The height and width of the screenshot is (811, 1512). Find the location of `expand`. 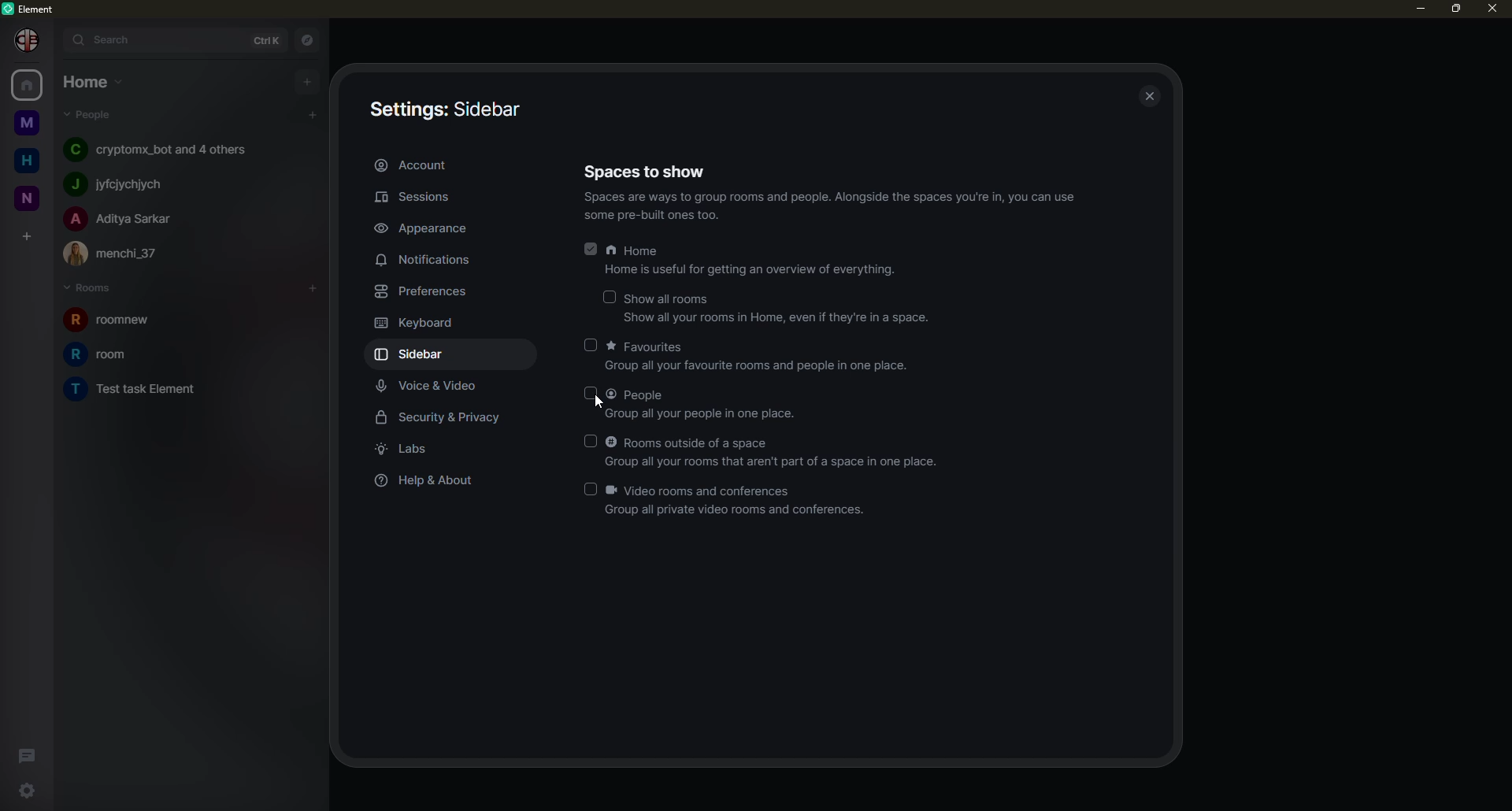

expand is located at coordinates (54, 39).